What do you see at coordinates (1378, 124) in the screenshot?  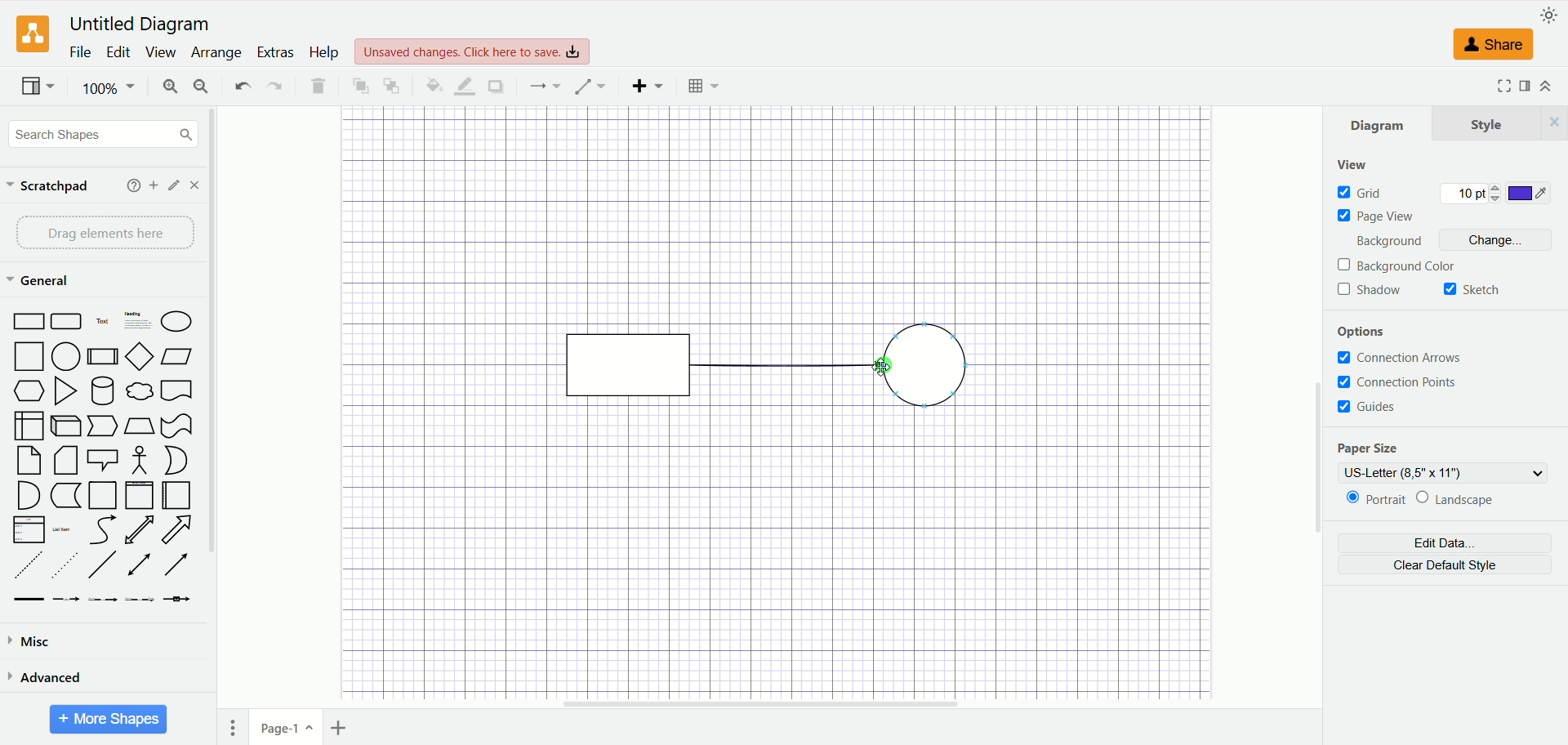 I see `diagram` at bounding box center [1378, 124].